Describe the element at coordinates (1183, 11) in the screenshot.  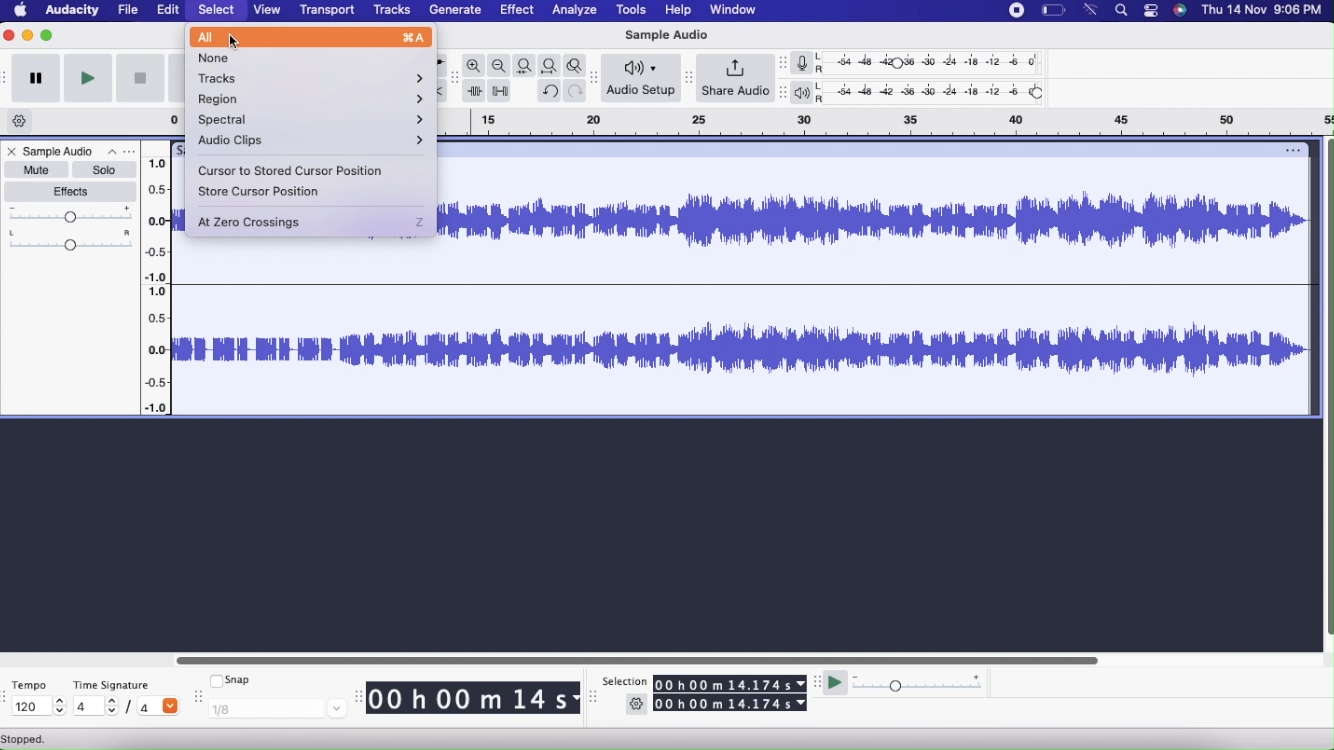
I see `Siri` at that location.